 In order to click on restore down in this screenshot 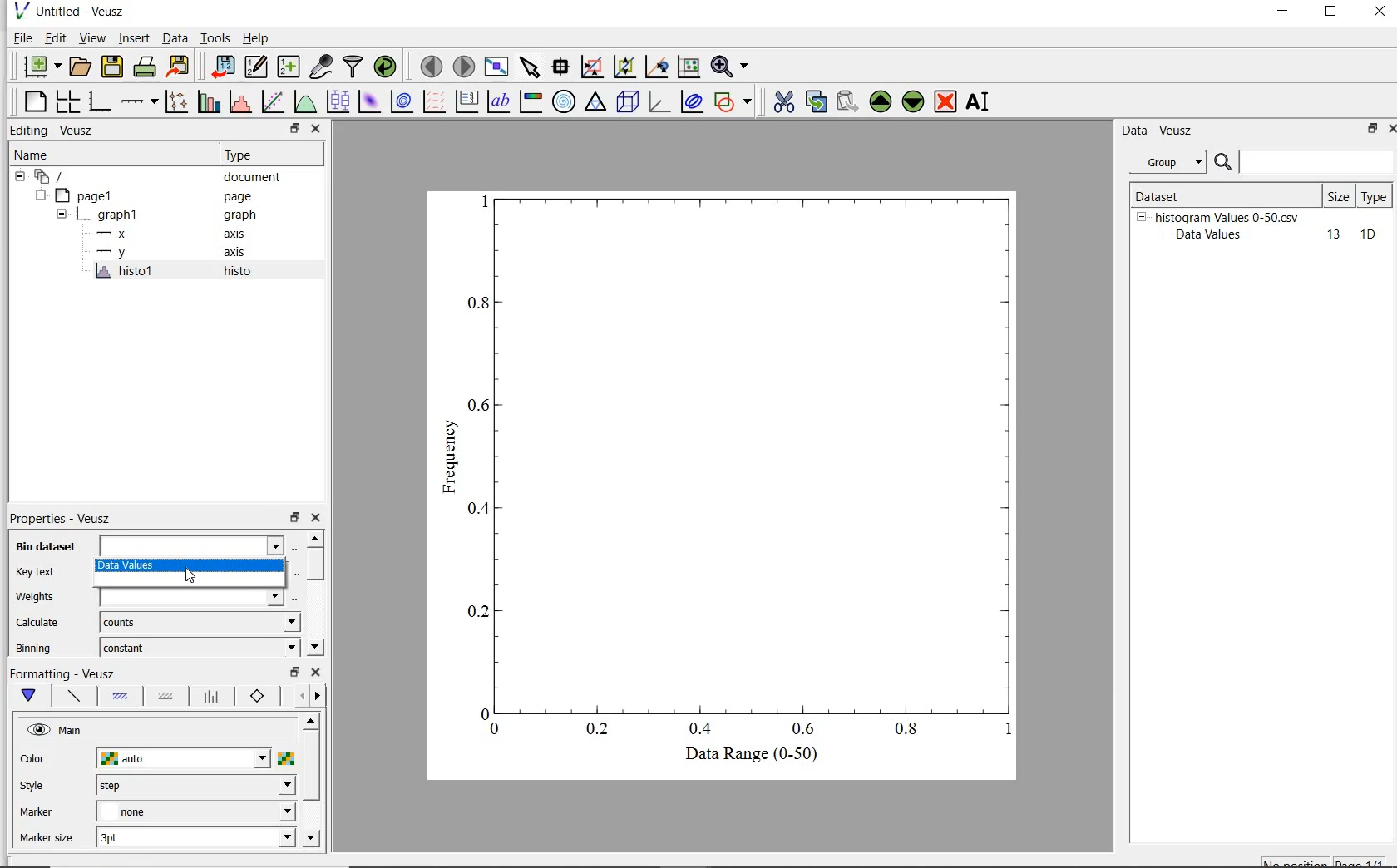, I will do `click(294, 673)`.